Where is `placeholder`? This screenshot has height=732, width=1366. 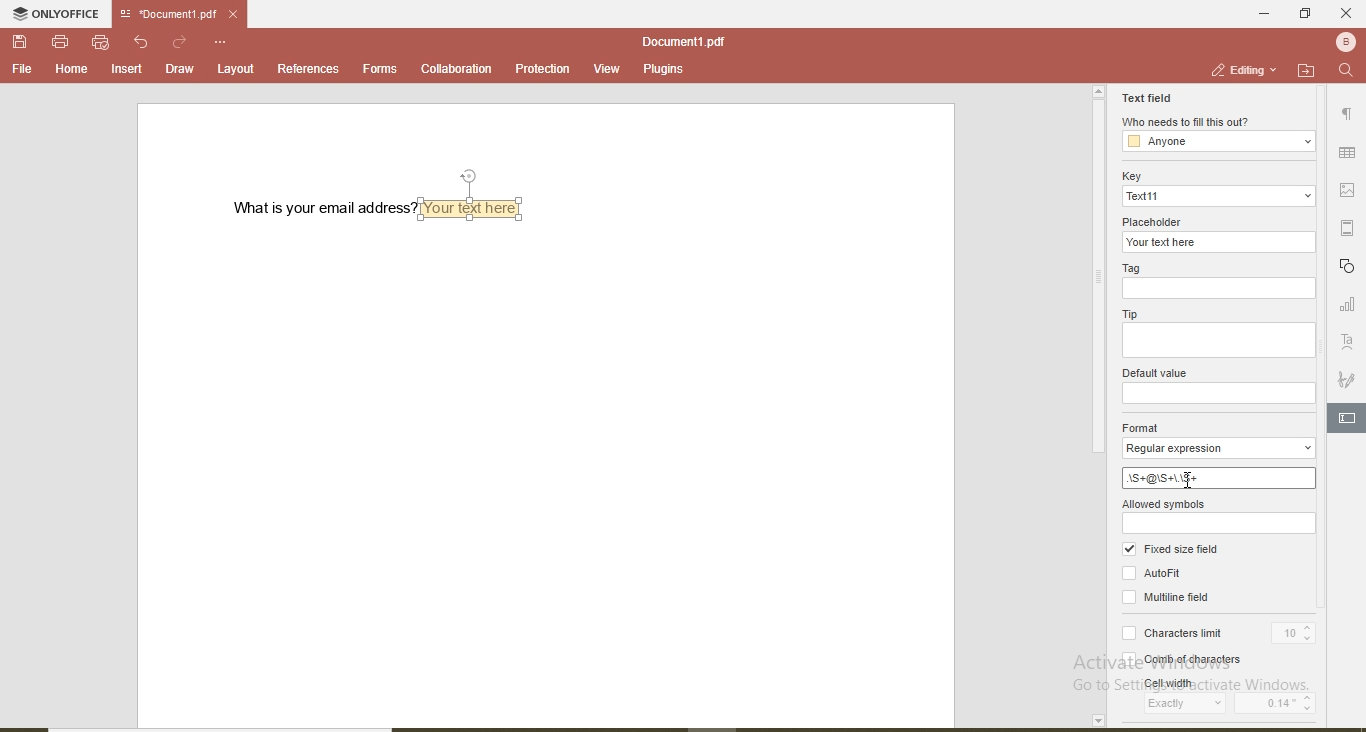 placeholder is located at coordinates (1156, 220).